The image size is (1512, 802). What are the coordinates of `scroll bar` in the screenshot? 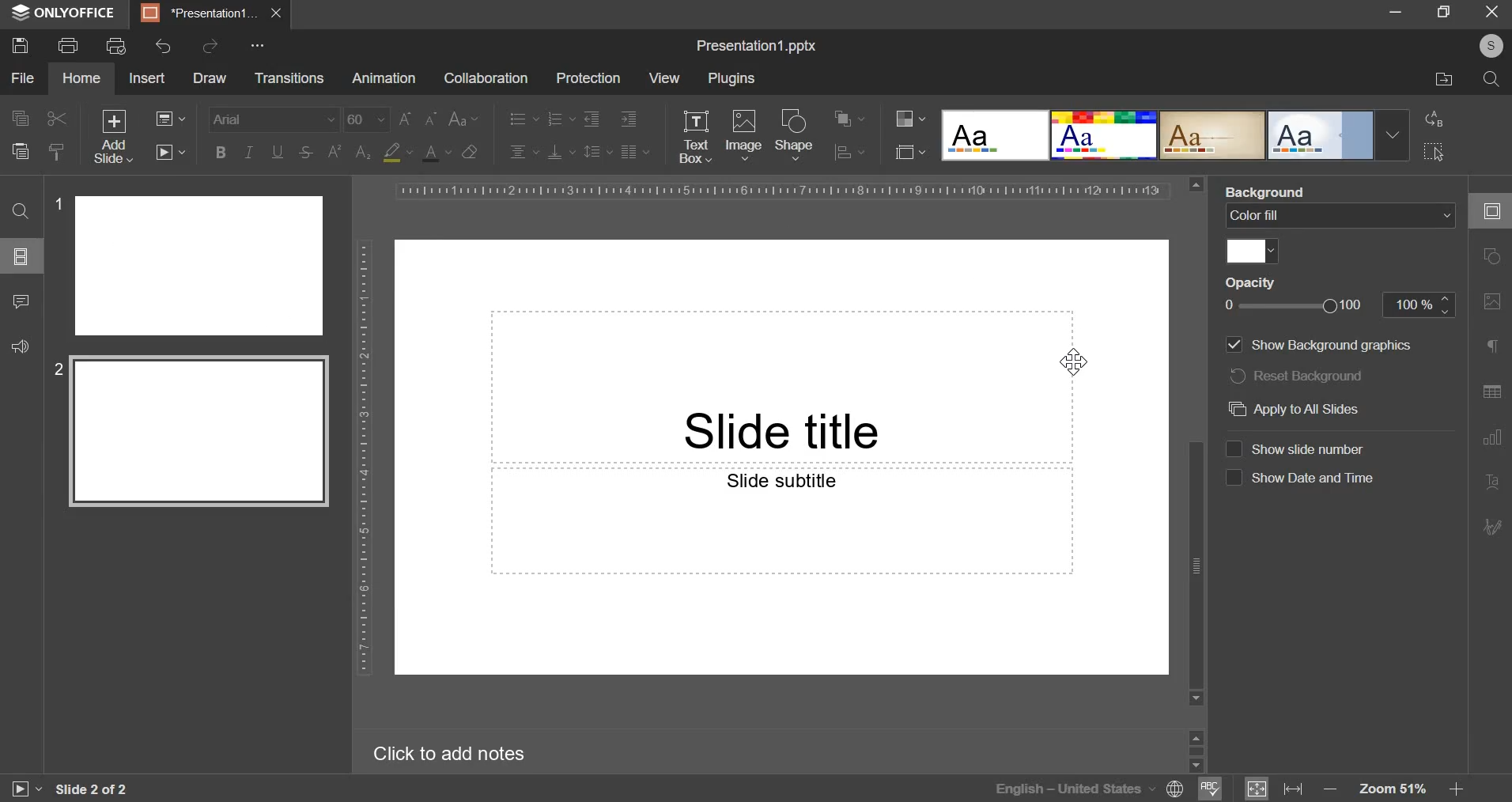 It's located at (1196, 441).